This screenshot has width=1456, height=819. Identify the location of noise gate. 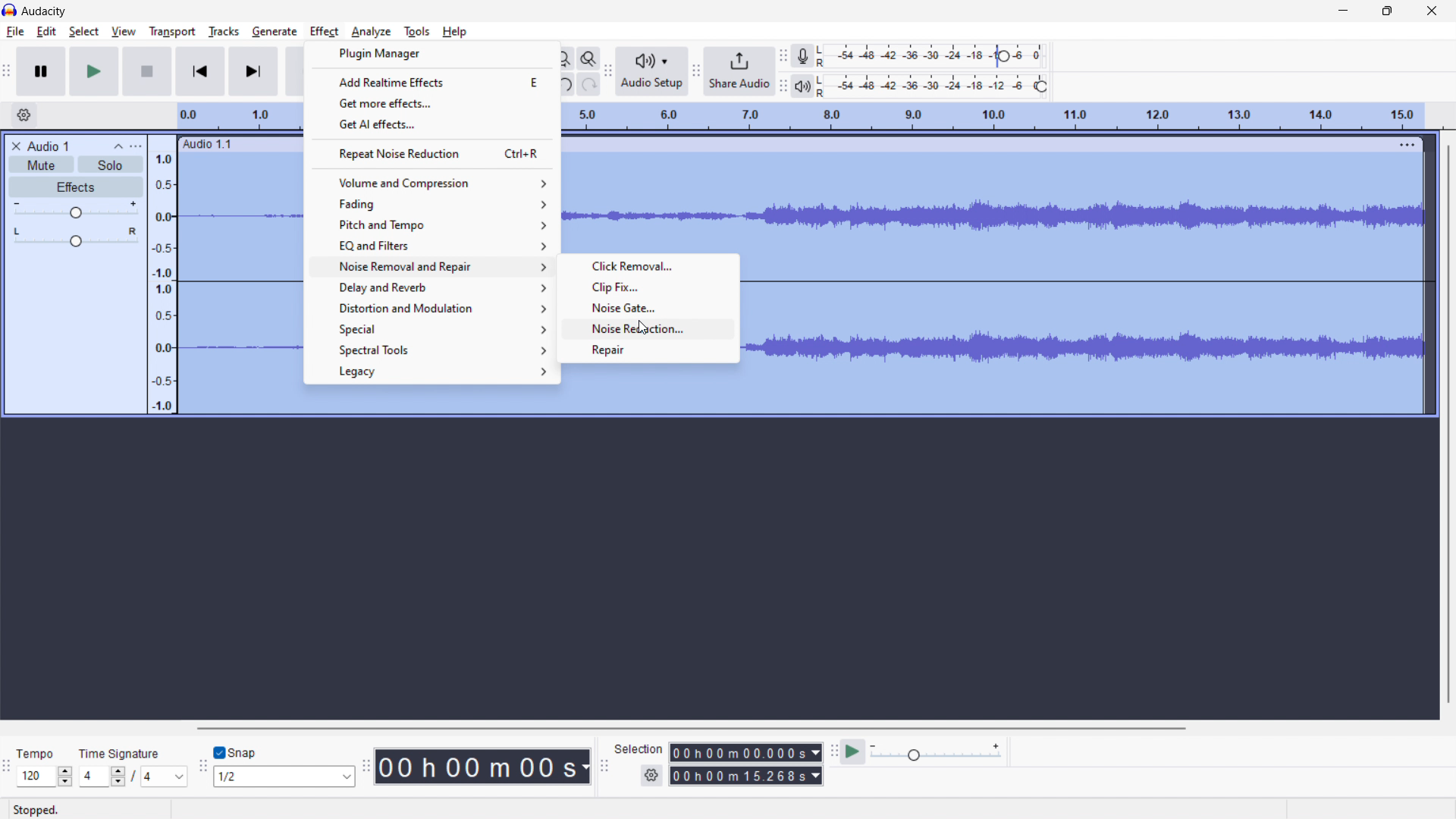
(648, 308).